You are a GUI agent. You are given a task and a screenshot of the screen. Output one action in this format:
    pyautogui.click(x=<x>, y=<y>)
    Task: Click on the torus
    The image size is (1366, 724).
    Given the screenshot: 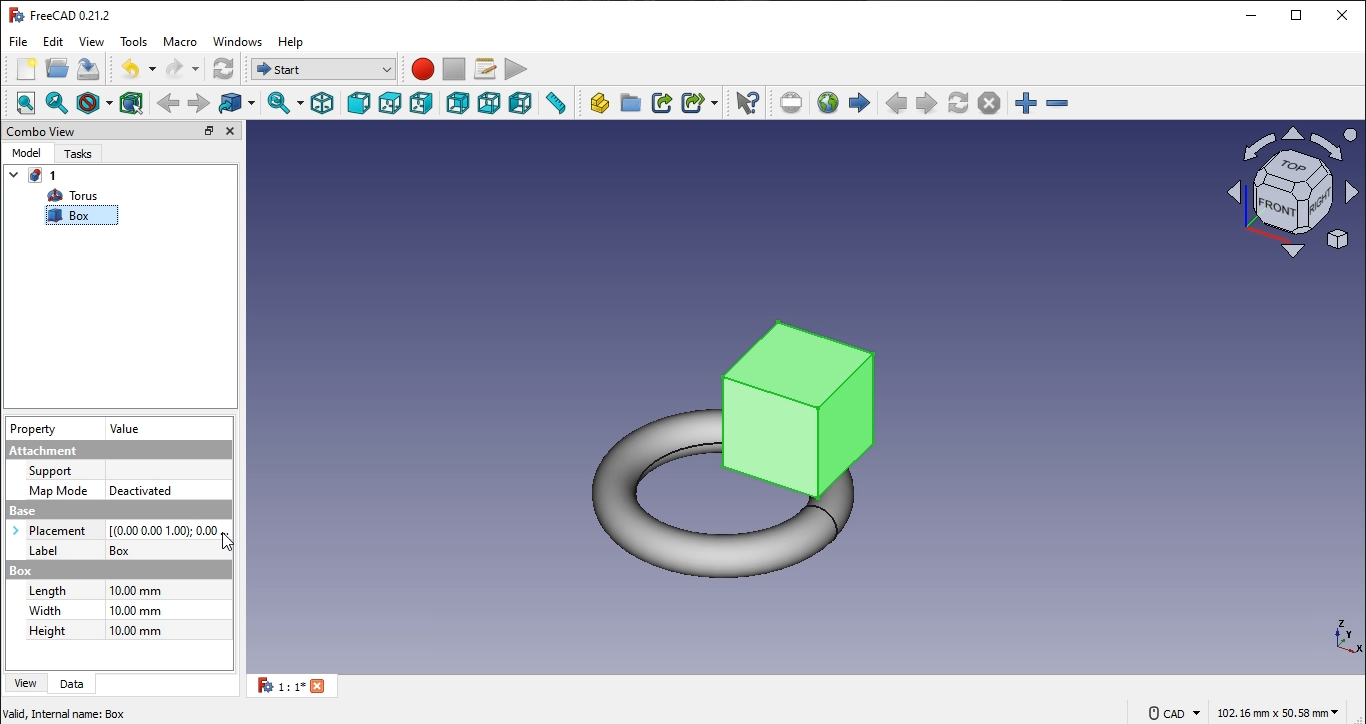 What is the action you would take?
    pyautogui.click(x=75, y=196)
    